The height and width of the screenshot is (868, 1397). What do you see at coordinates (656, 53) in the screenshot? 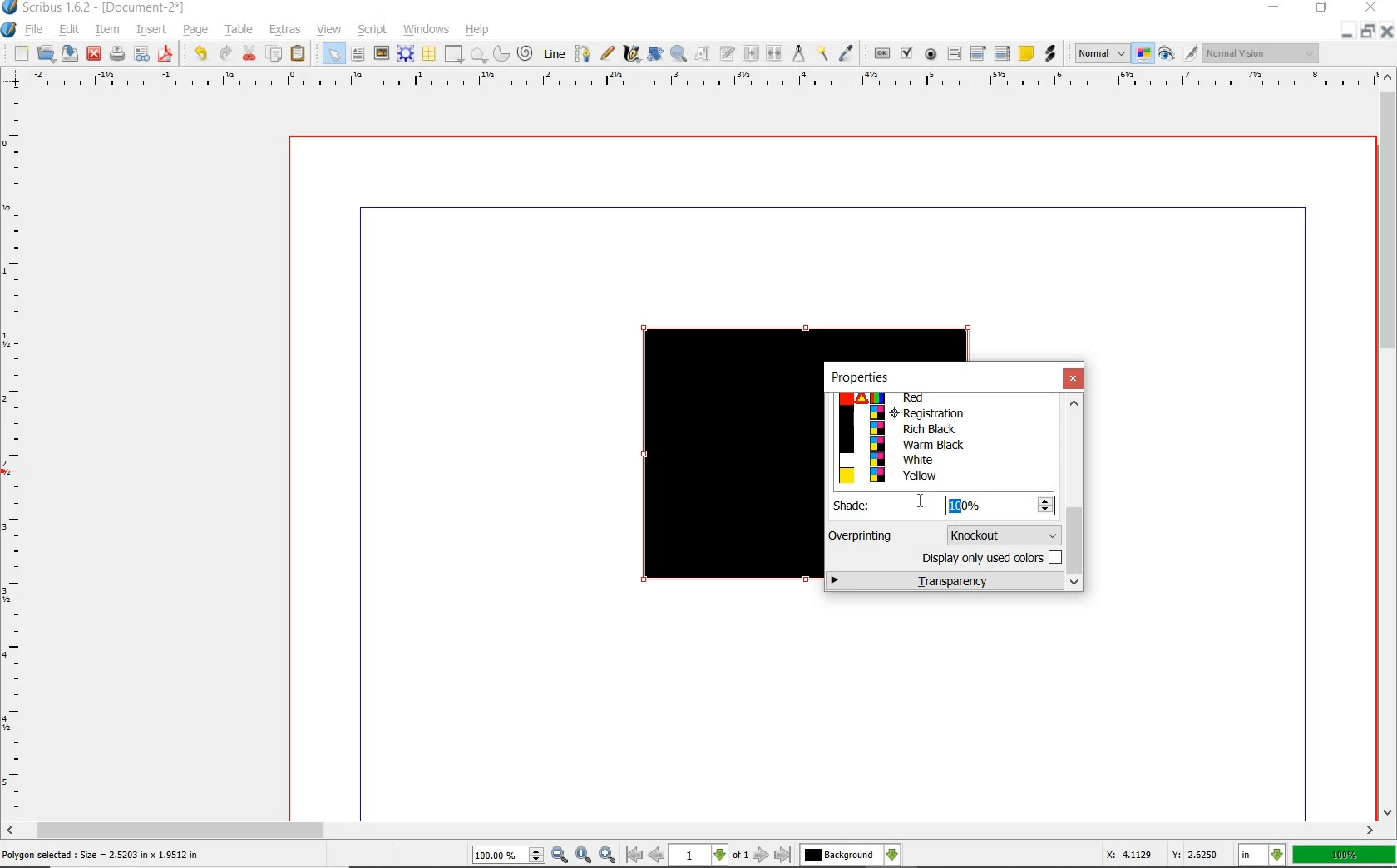
I see `rotate item` at bounding box center [656, 53].